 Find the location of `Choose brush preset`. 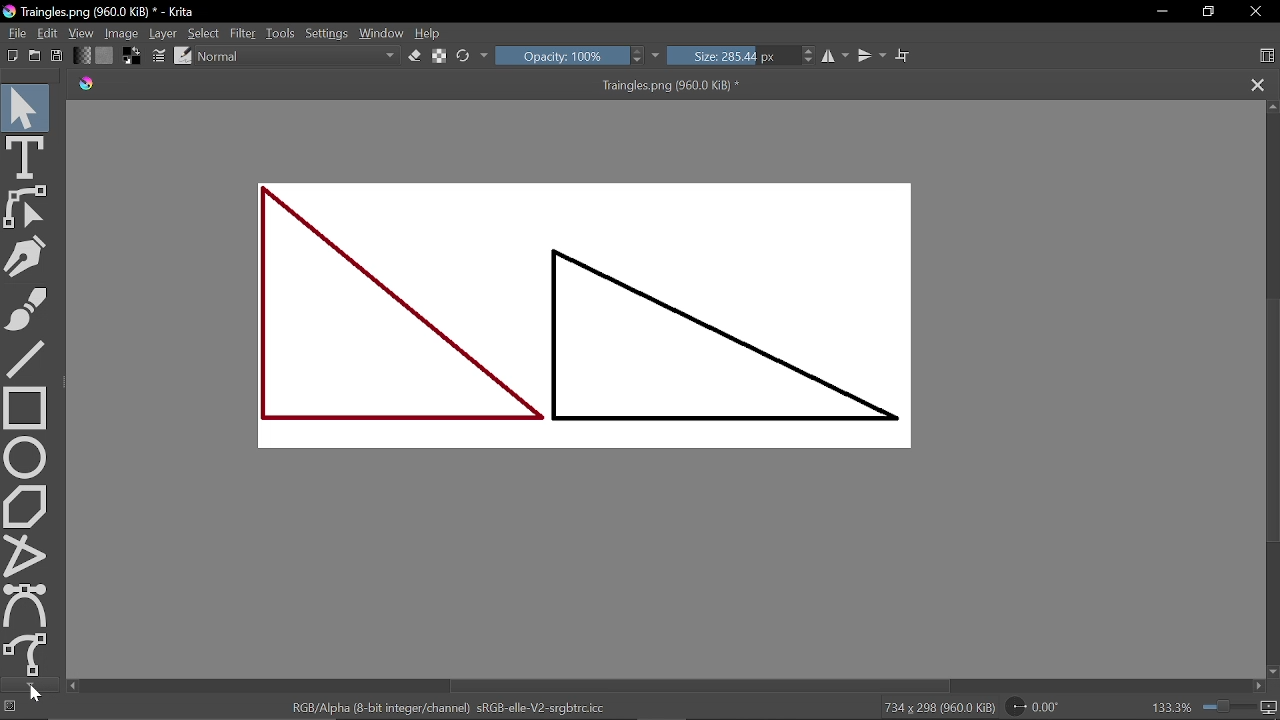

Choose brush preset is located at coordinates (184, 56).